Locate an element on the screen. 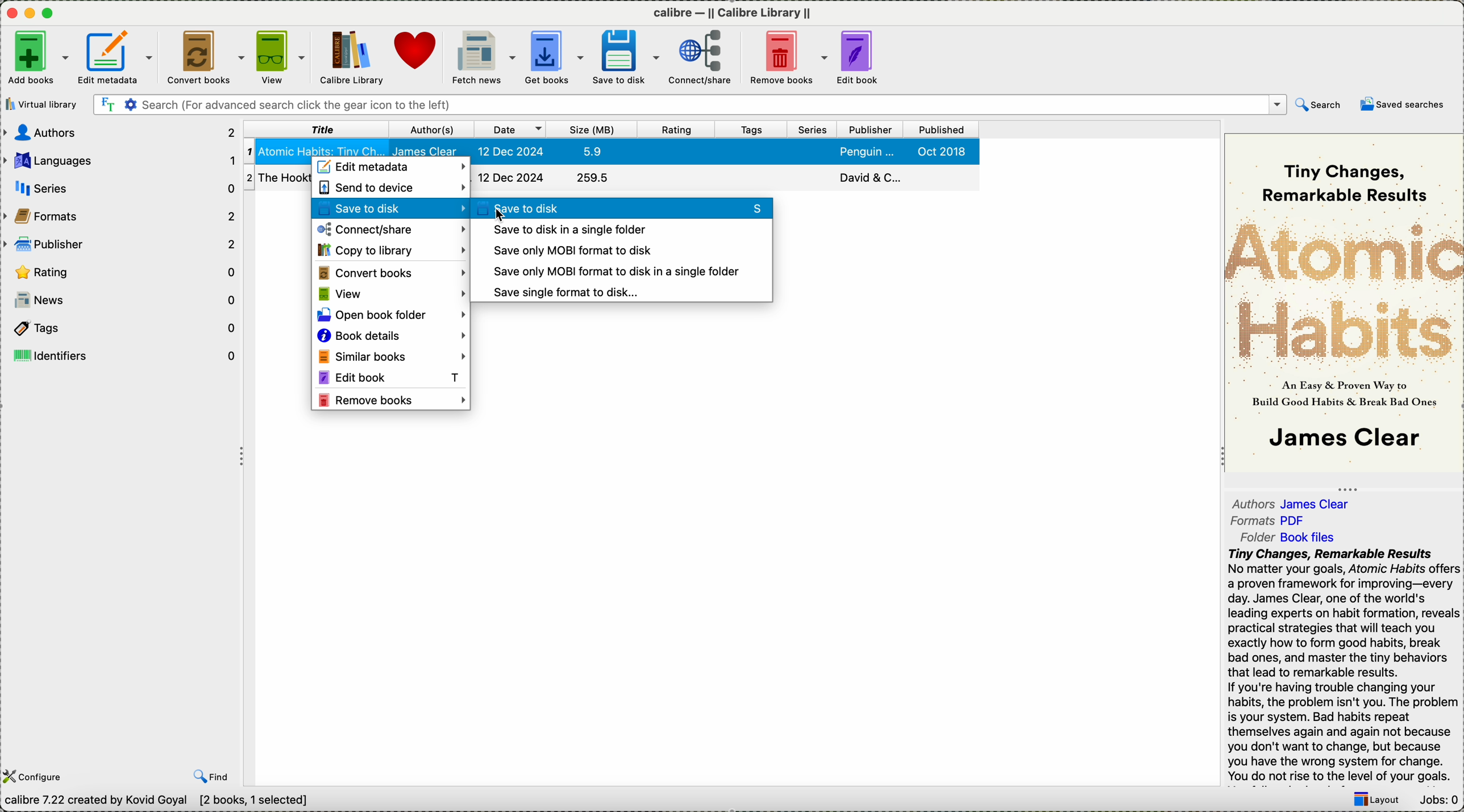 The width and height of the screenshot is (1464, 812). save to disk is located at coordinates (623, 57).